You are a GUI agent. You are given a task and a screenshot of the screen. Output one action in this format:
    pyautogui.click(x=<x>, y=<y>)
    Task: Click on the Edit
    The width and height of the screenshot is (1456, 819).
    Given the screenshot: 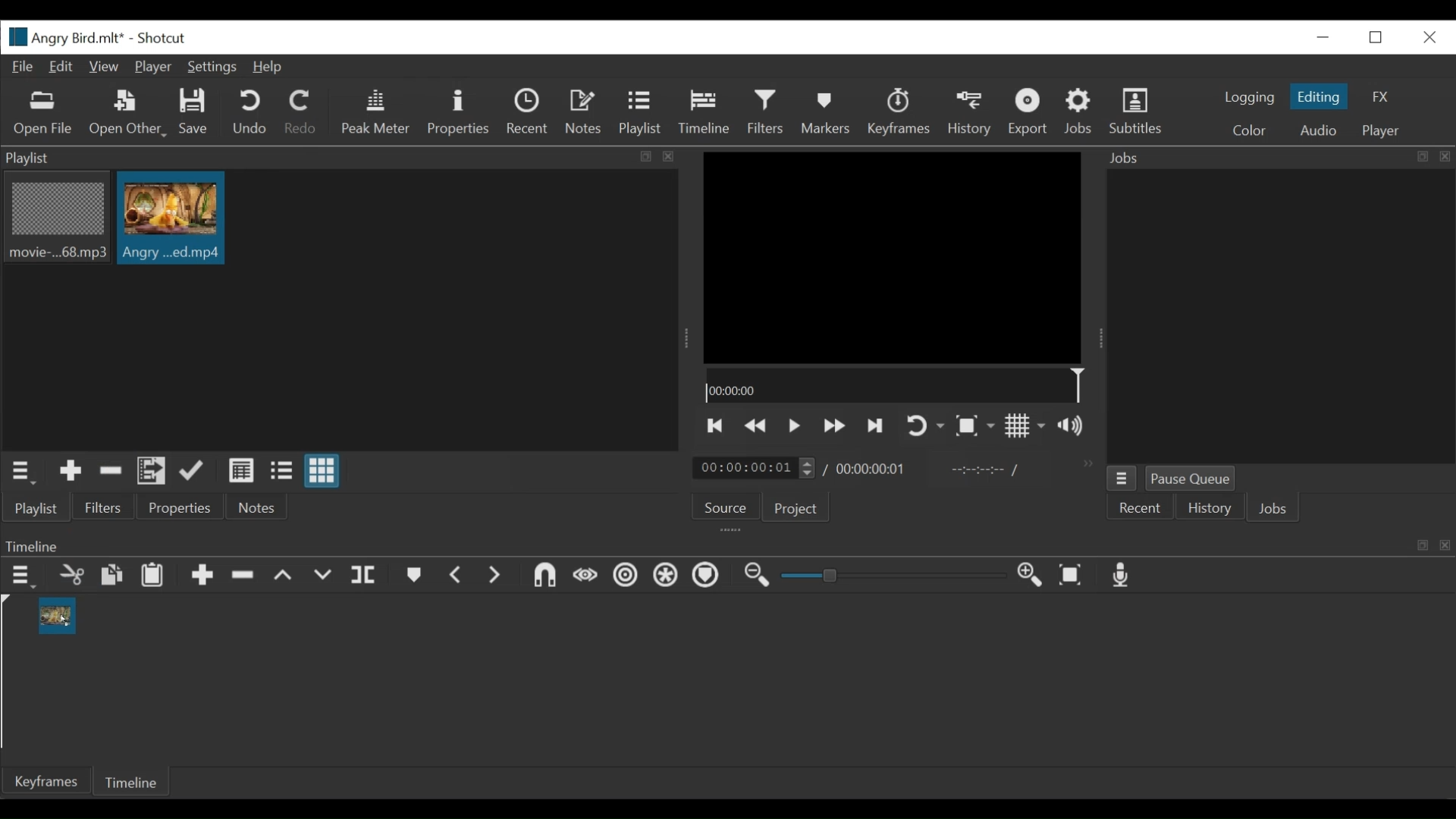 What is the action you would take?
    pyautogui.click(x=63, y=67)
    